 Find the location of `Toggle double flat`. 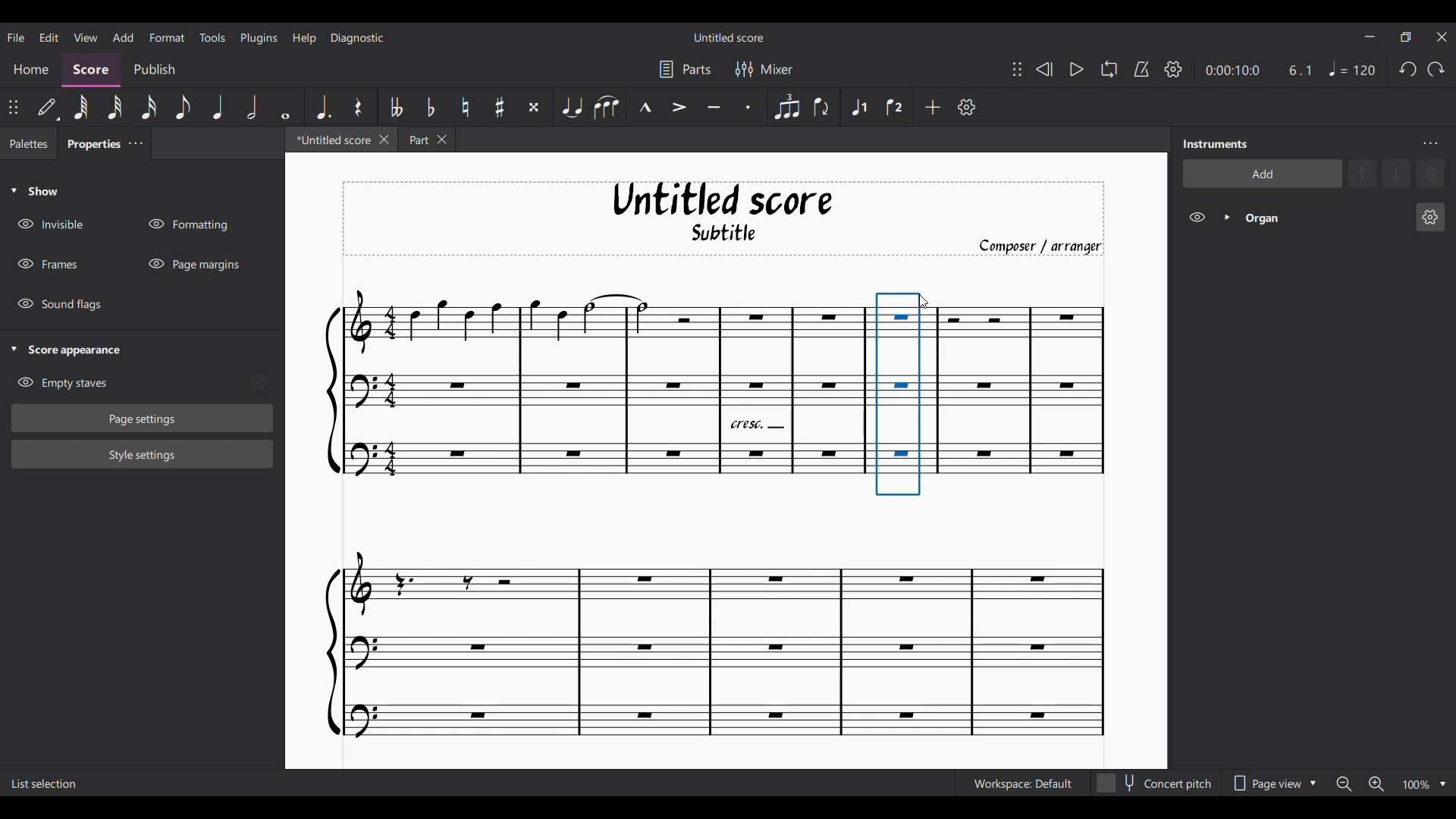

Toggle double flat is located at coordinates (395, 106).